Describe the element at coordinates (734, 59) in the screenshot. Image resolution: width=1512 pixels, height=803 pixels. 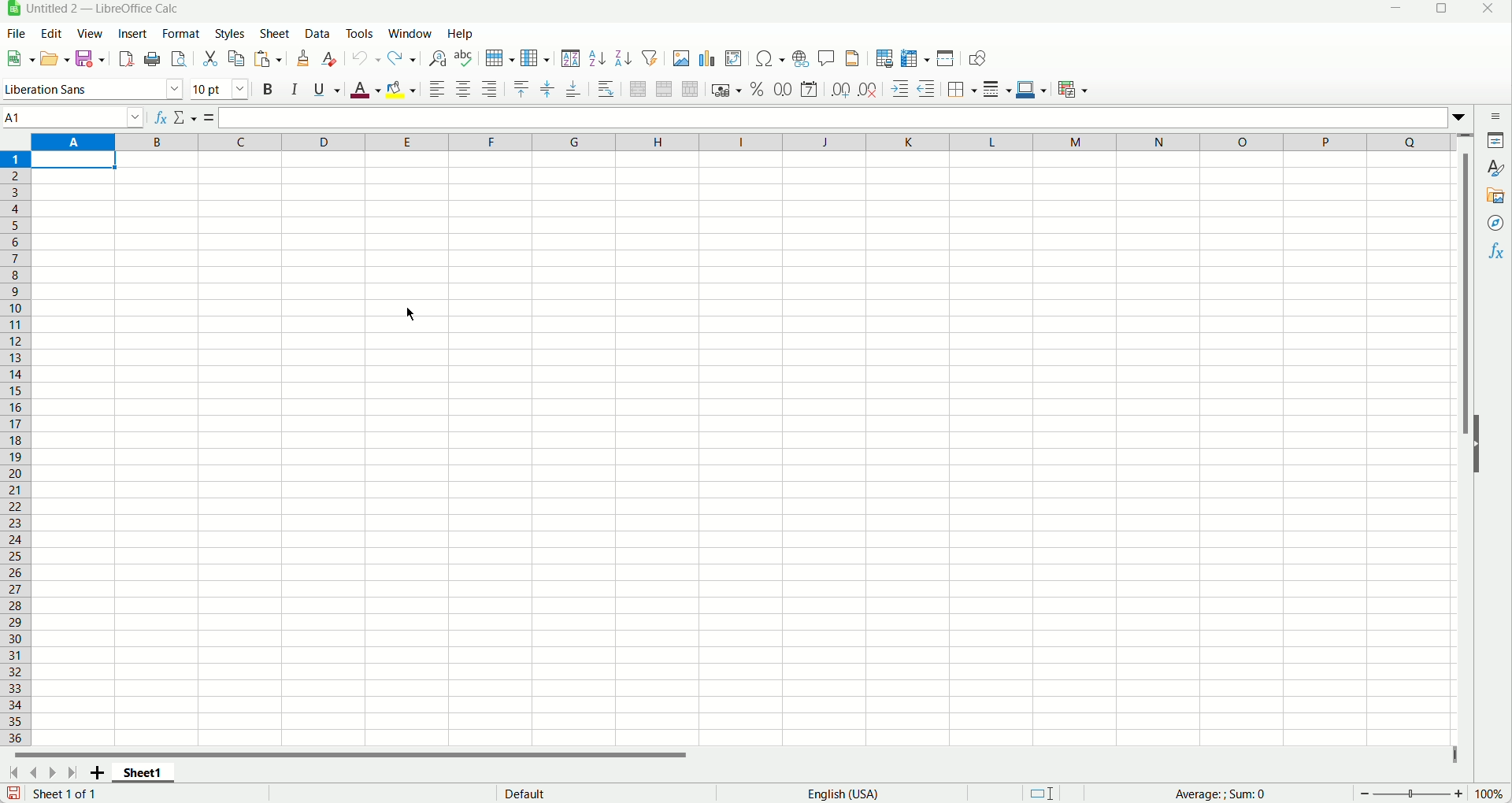
I see `Insert or edit pivot table` at that location.